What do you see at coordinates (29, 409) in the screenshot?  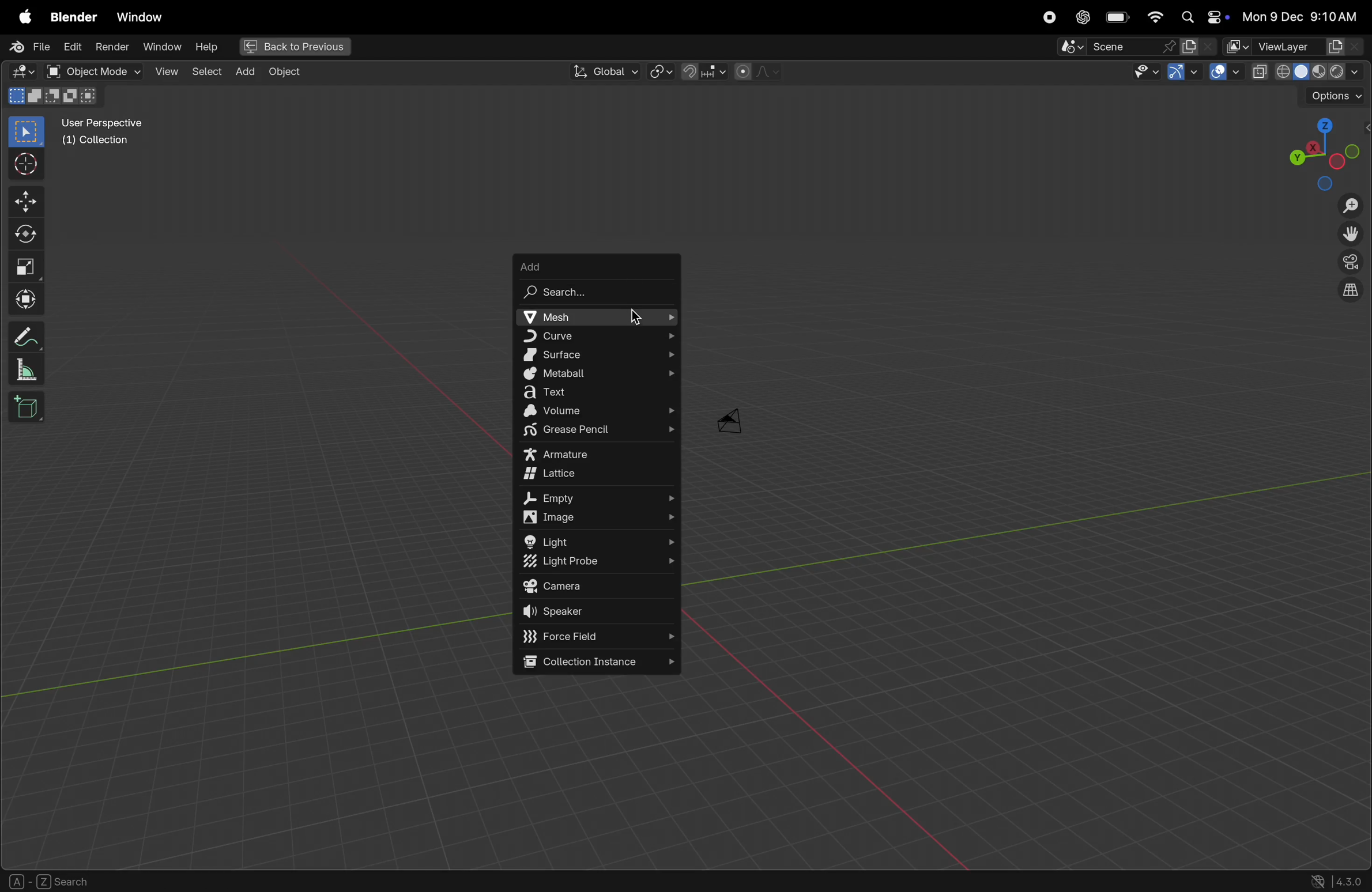 I see `add cube` at bounding box center [29, 409].